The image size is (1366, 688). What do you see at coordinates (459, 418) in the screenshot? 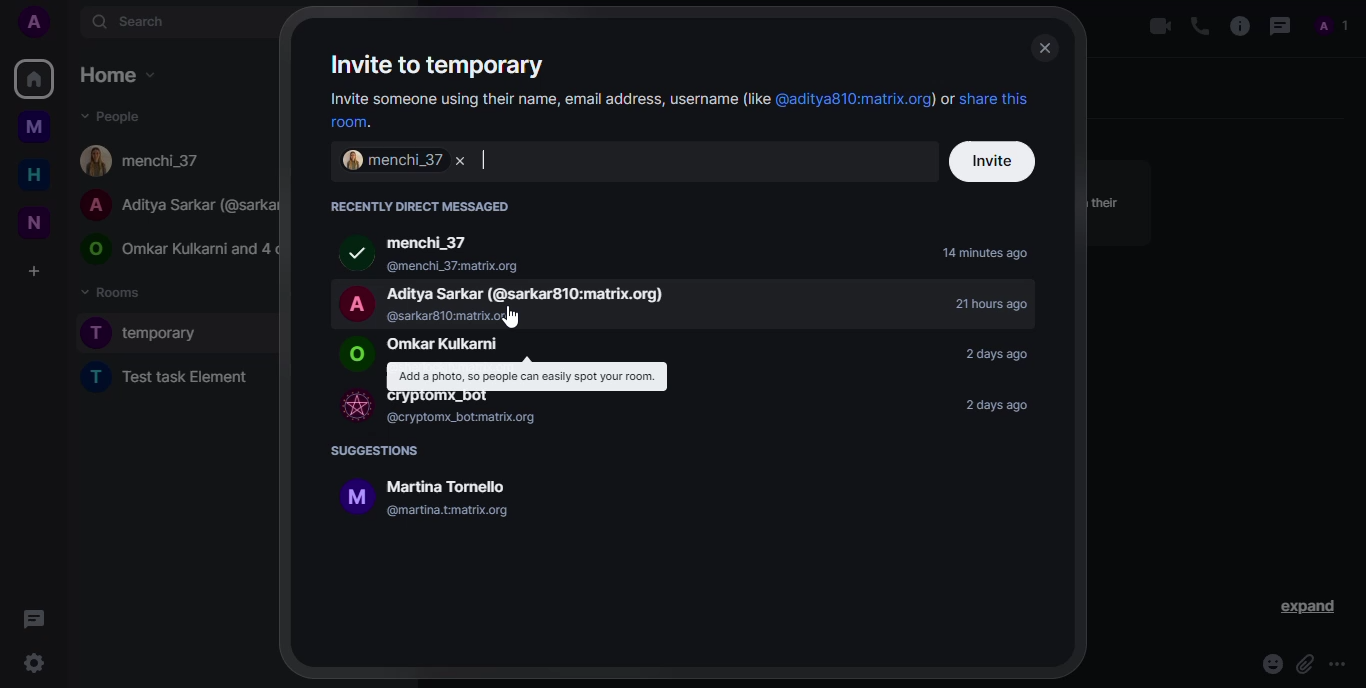
I see `@cryptomx_botmatrix.org` at bounding box center [459, 418].